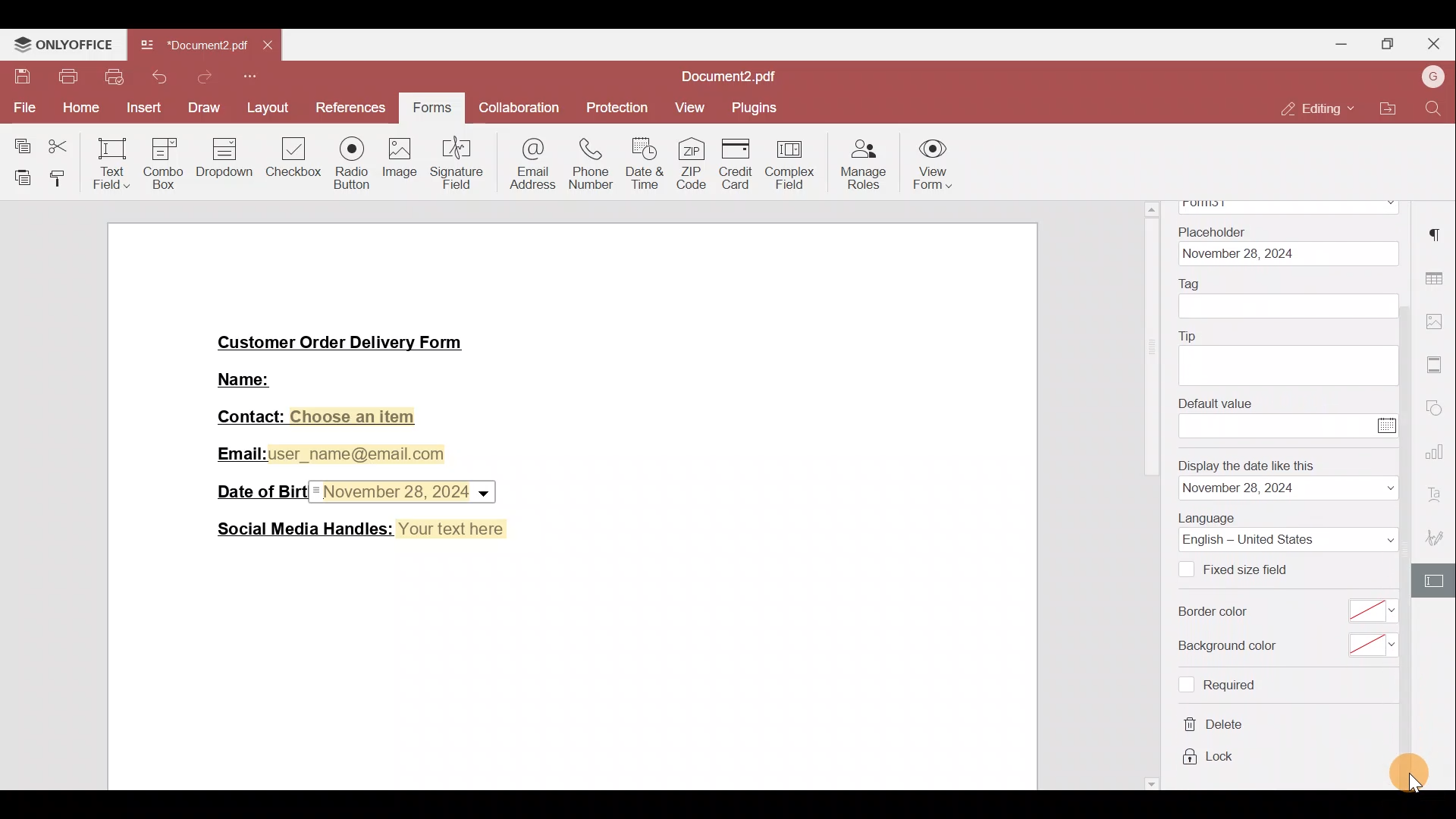 The image size is (1456, 819). What do you see at coordinates (1210, 756) in the screenshot?
I see `lock` at bounding box center [1210, 756].